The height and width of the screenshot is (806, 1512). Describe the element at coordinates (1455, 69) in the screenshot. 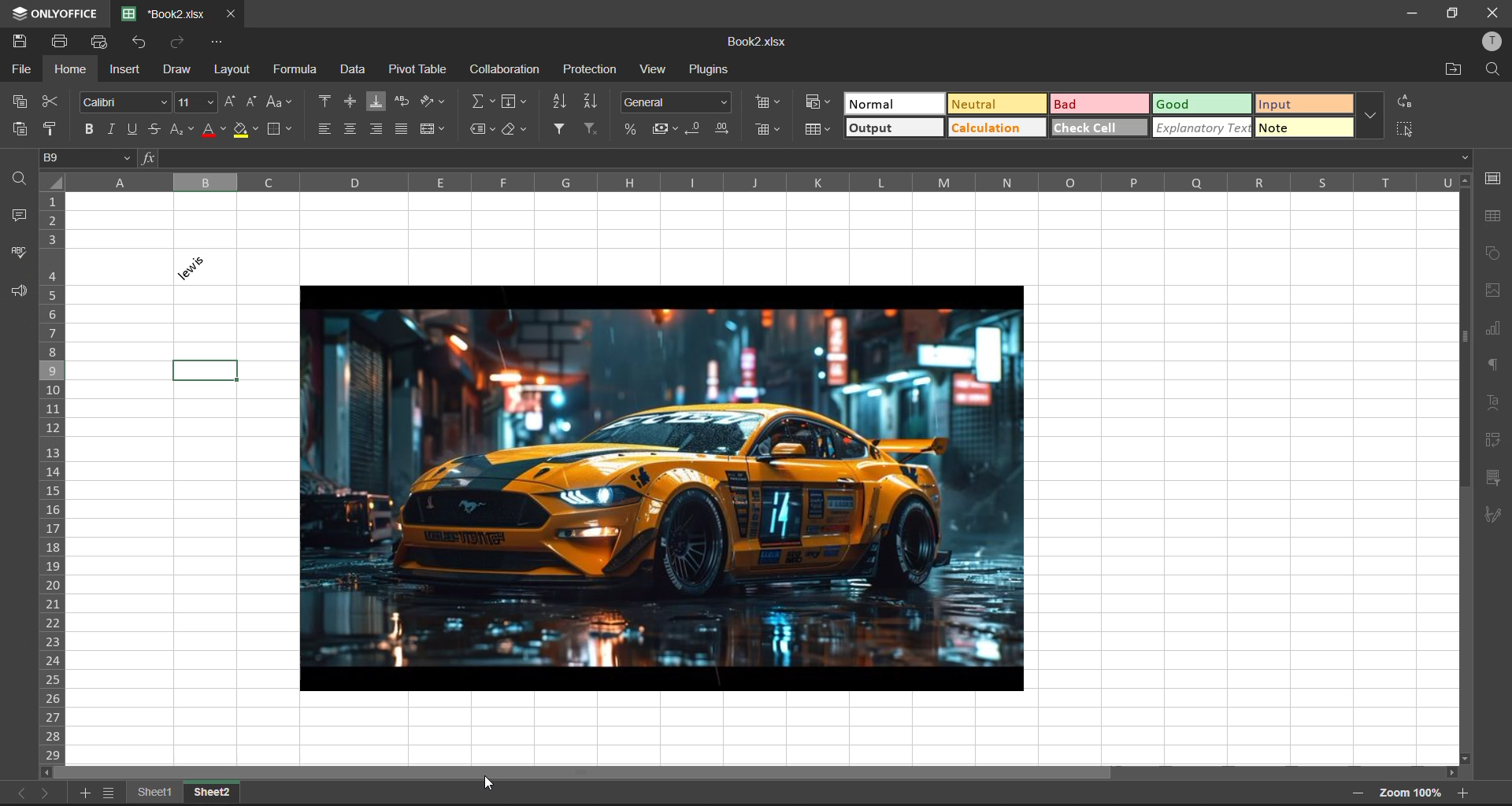

I see `open location` at that location.